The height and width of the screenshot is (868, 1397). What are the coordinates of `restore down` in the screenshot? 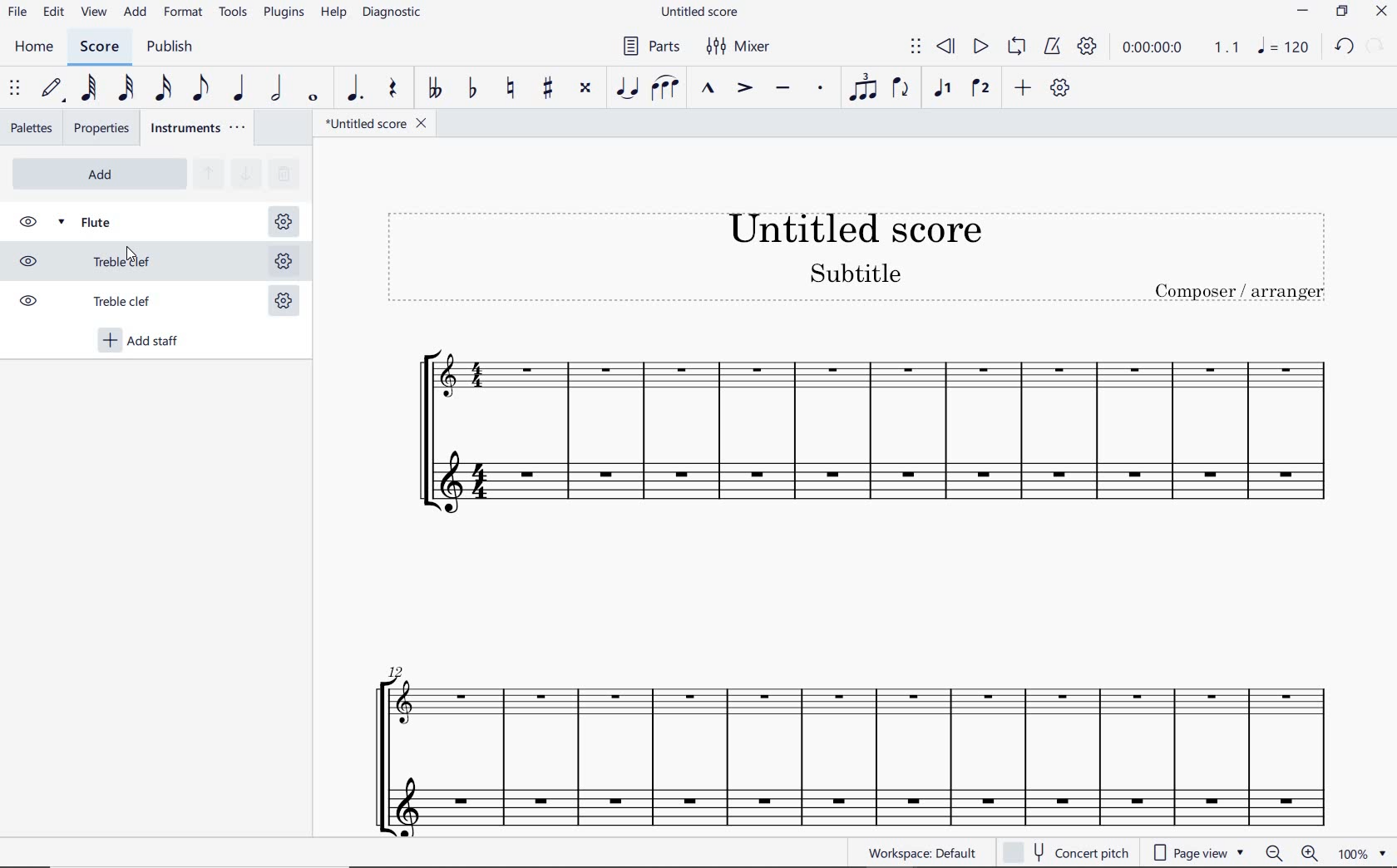 It's located at (1341, 12).